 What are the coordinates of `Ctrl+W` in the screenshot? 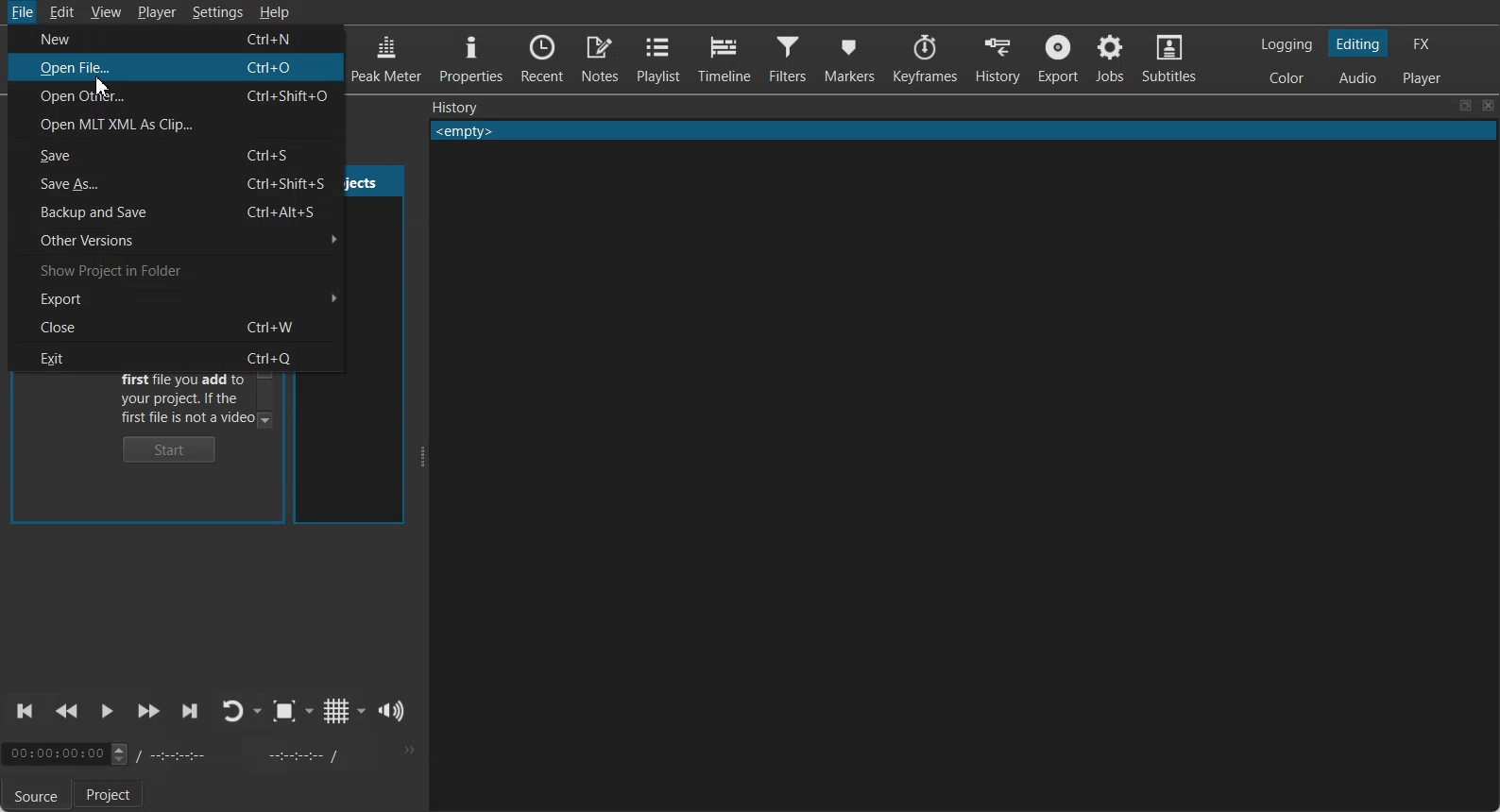 It's located at (274, 326).